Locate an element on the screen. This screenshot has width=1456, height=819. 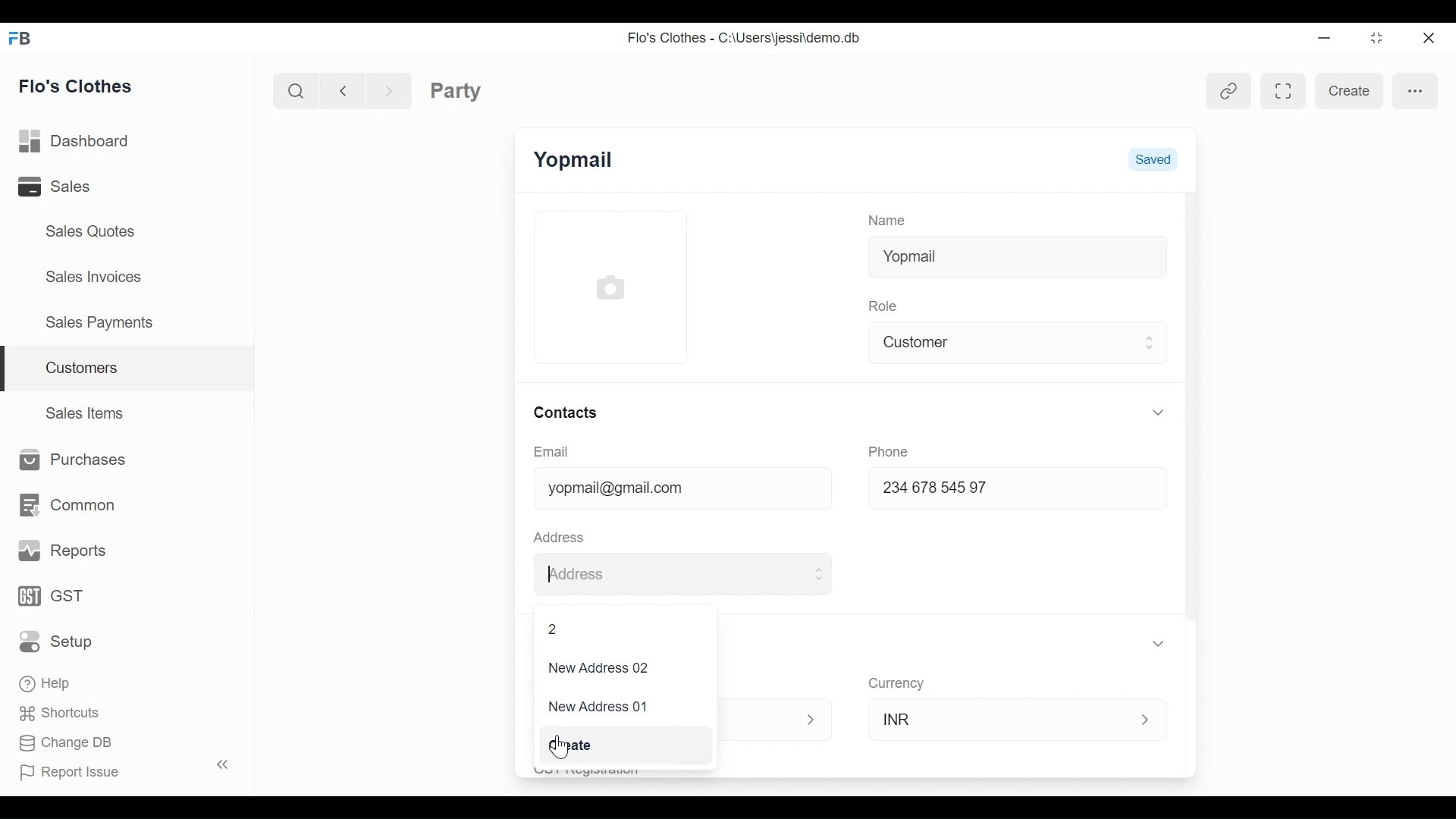
Profile Picture is located at coordinates (610, 288).